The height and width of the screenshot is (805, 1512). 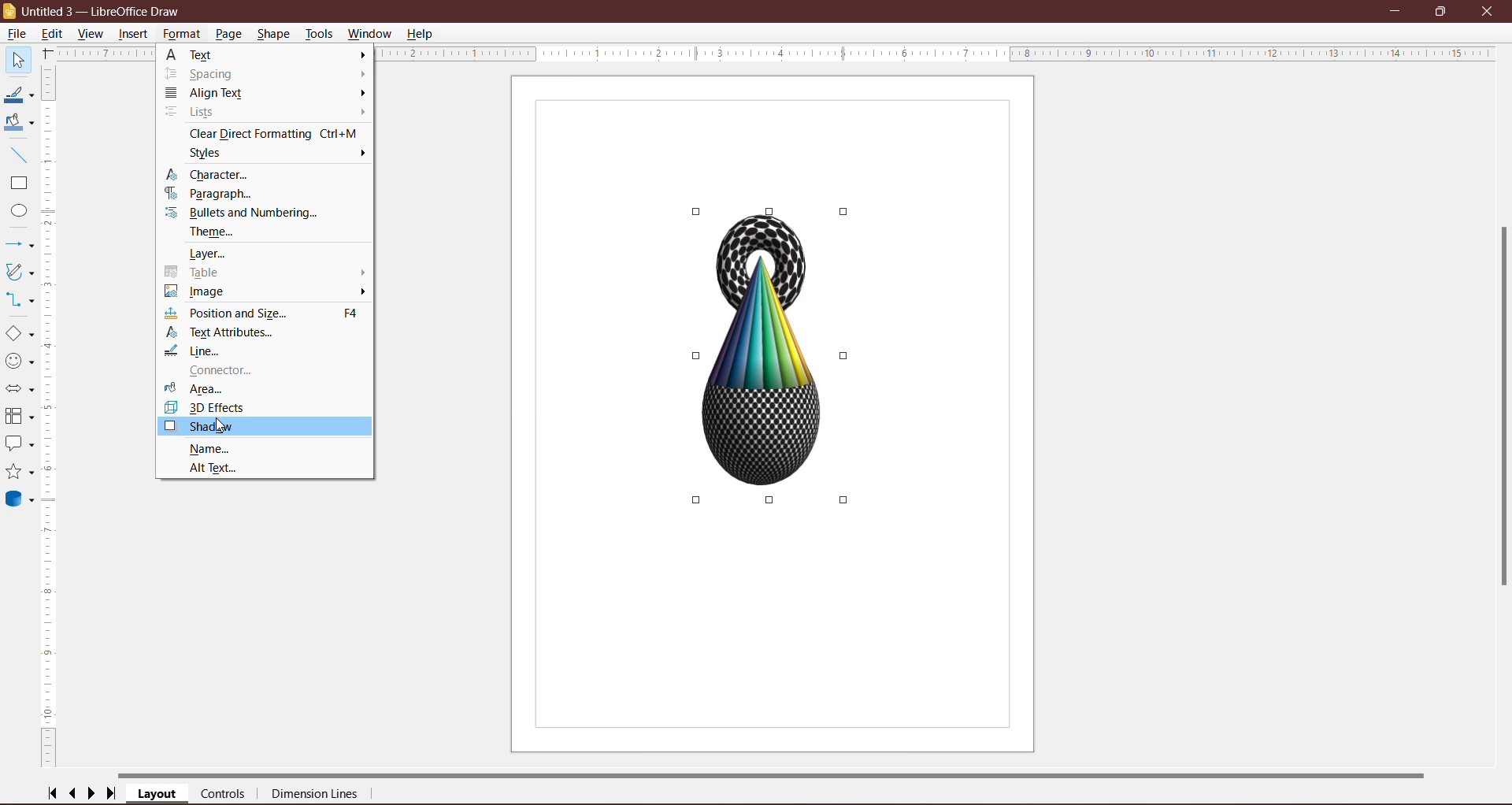 I want to click on Curves and Polygons, so click(x=20, y=272).